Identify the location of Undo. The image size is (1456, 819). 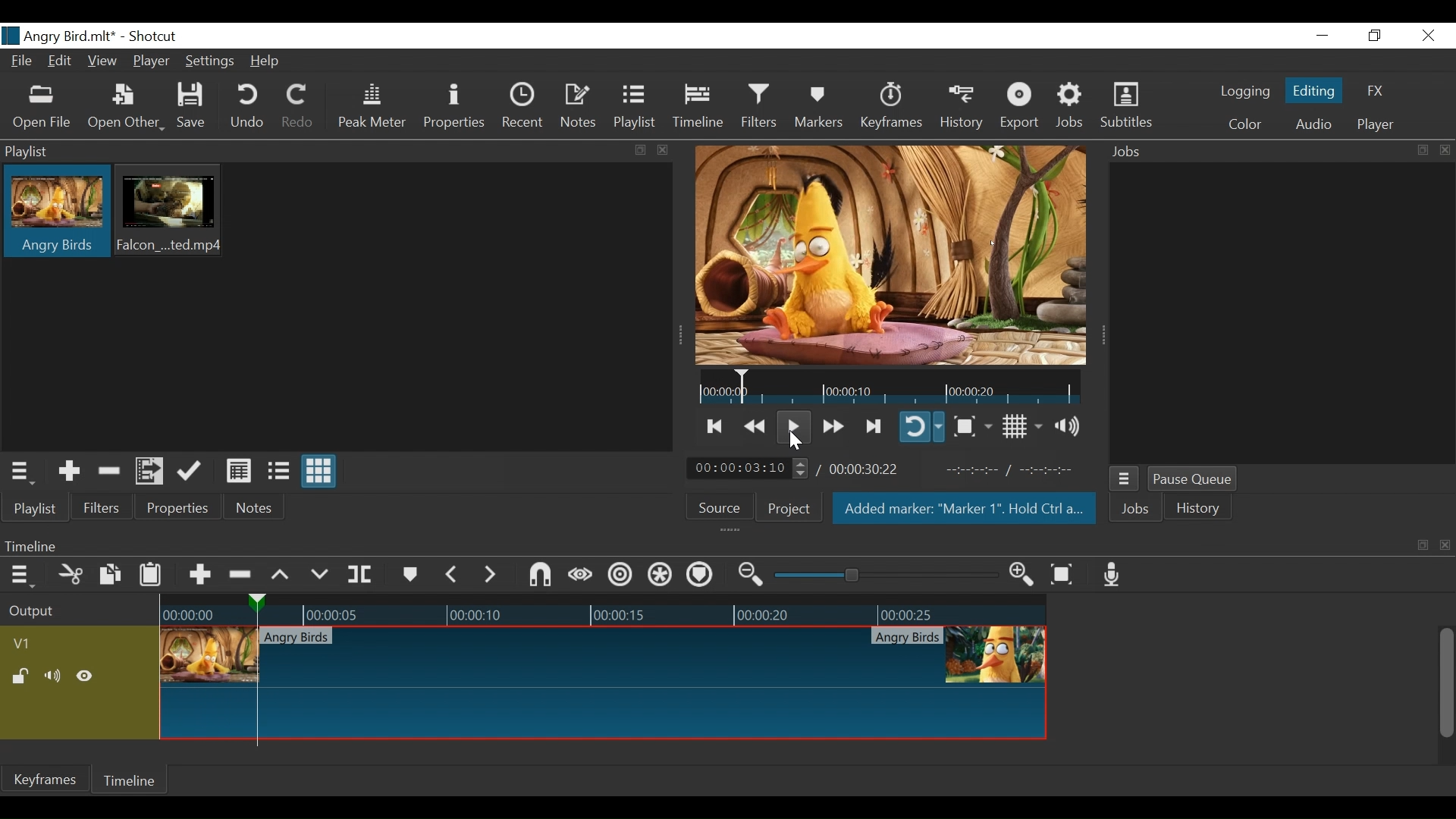
(249, 108).